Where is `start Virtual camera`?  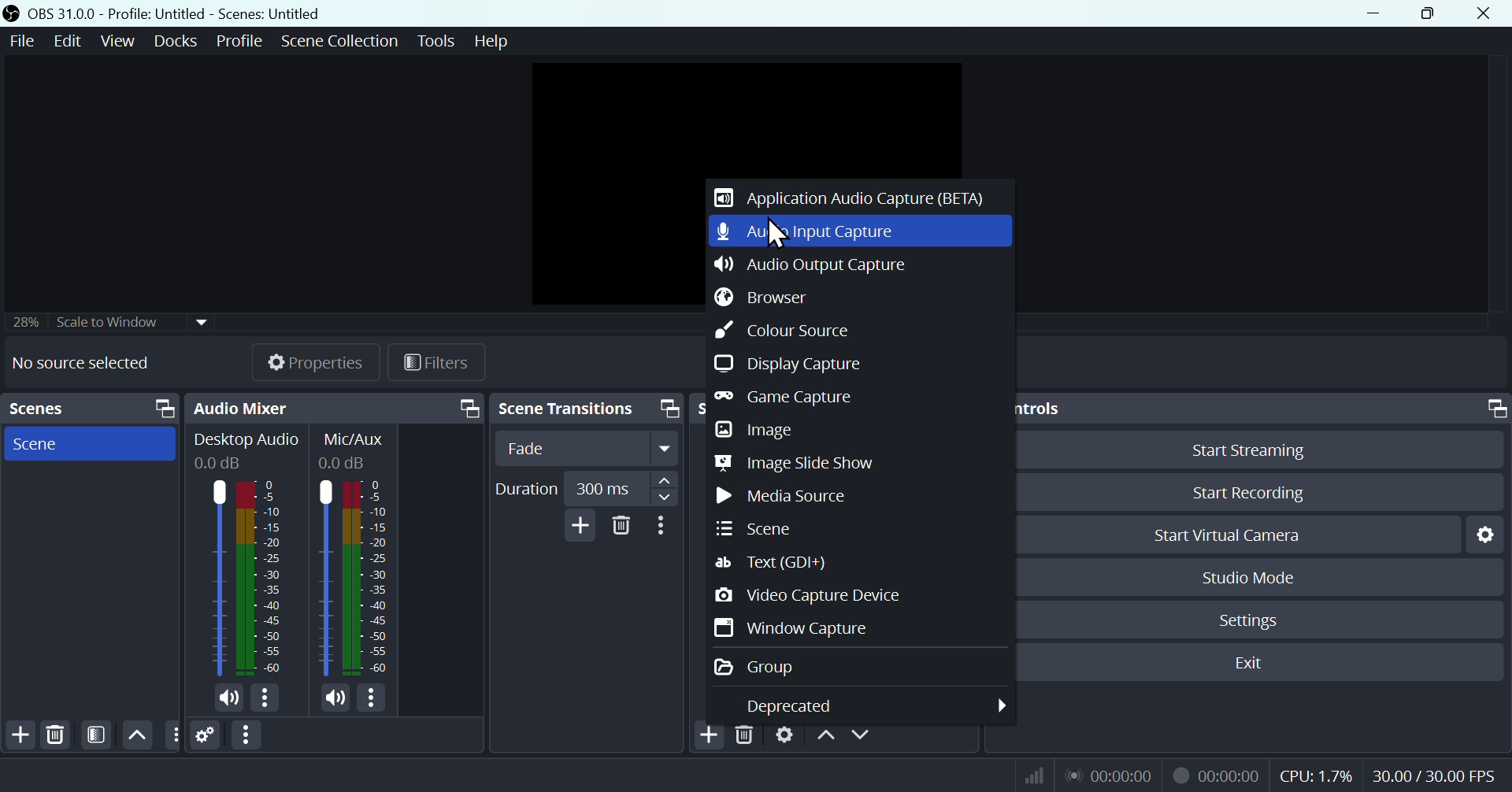
start Virtual camera is located at coordinates (1236, 535).